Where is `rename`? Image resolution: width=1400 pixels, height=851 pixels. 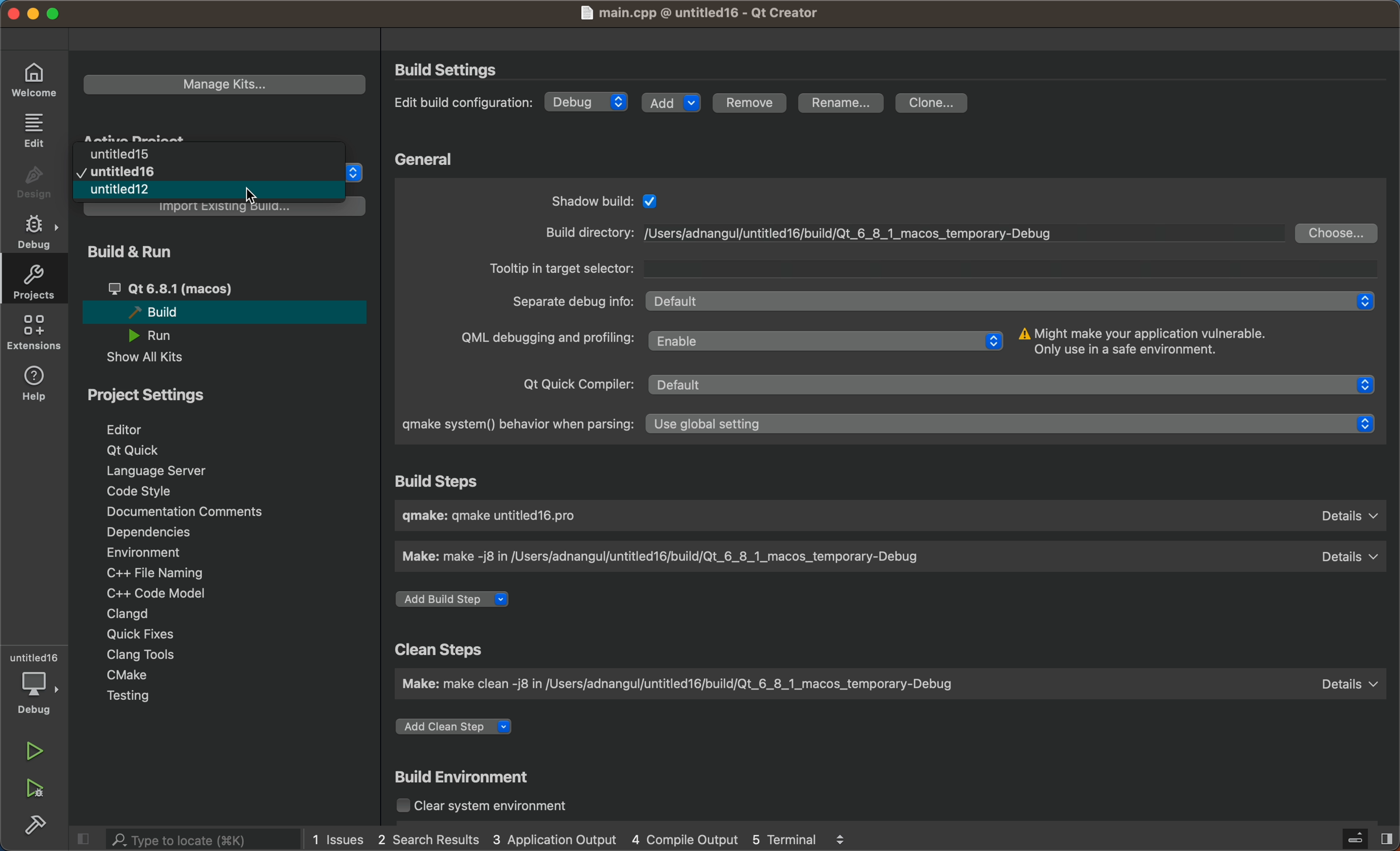
rename is located at coordinates (847, 104).